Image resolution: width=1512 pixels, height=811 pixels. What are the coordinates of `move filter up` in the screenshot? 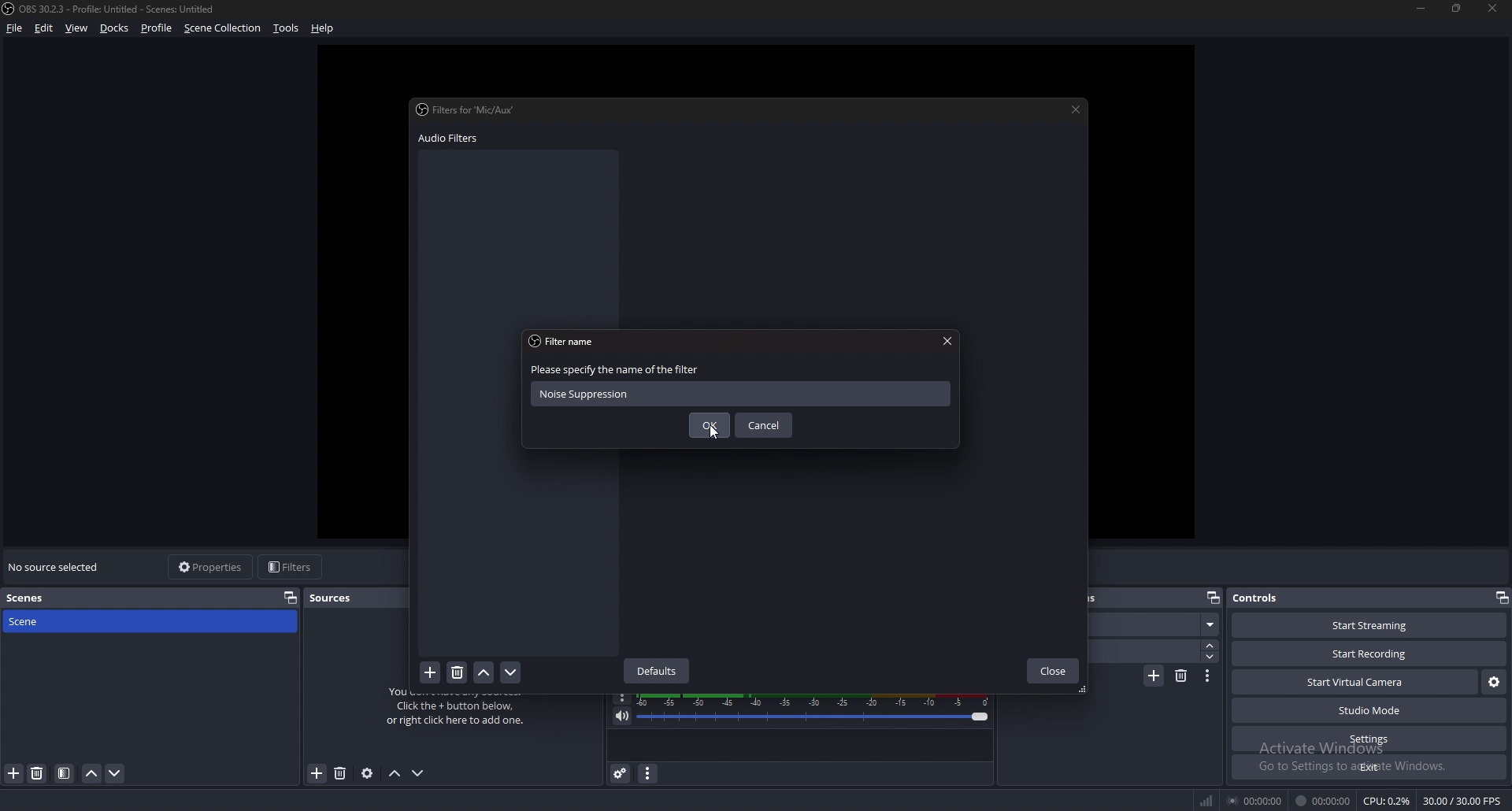 It's located at (484, 672).